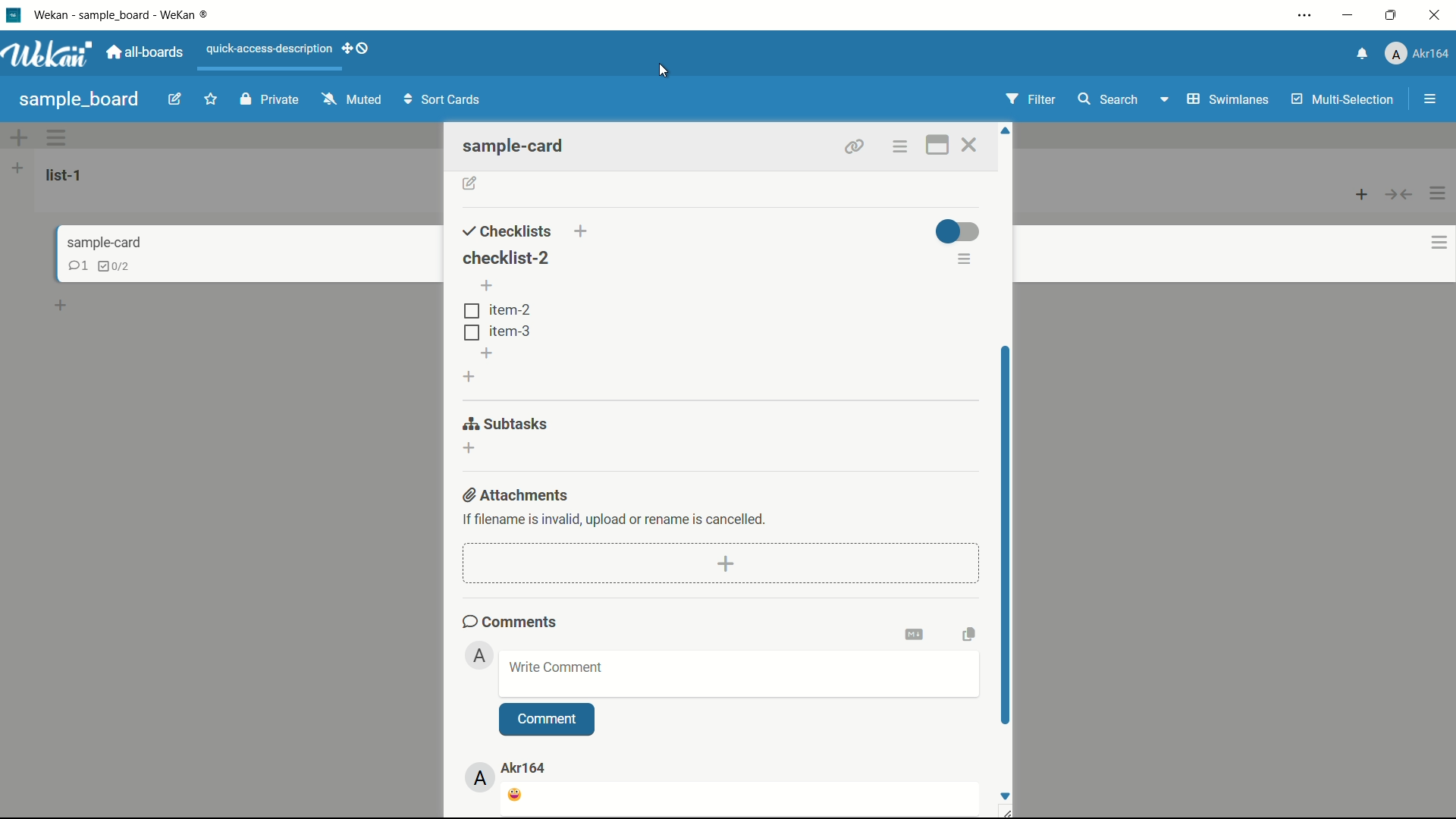 This screenshot has width=1456, height=819. What do you see at coordinates (851, 144) in the screenshot?
I see `link` at bounding box center [851, 144].